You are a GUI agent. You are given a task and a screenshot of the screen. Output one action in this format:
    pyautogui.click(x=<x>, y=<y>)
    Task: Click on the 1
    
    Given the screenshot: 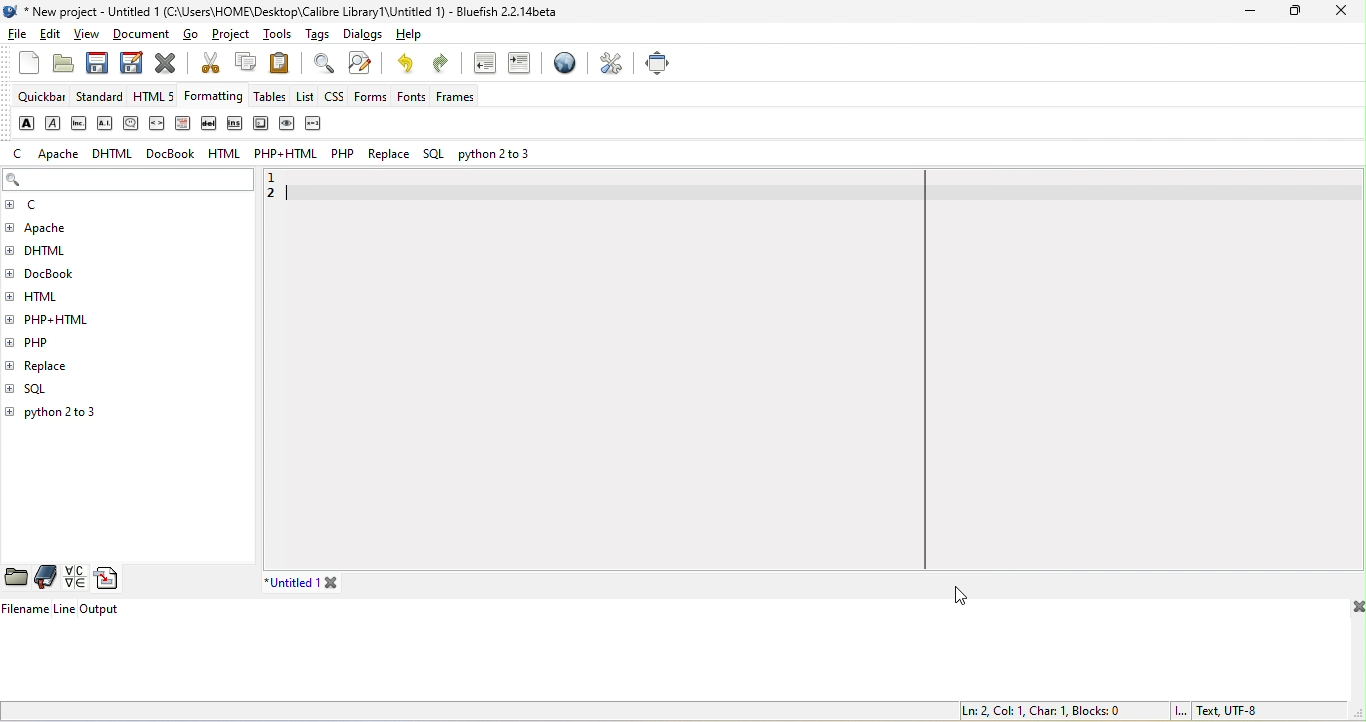 What is the action you would take?
    pyautogui.click(x=281, y=176)
    